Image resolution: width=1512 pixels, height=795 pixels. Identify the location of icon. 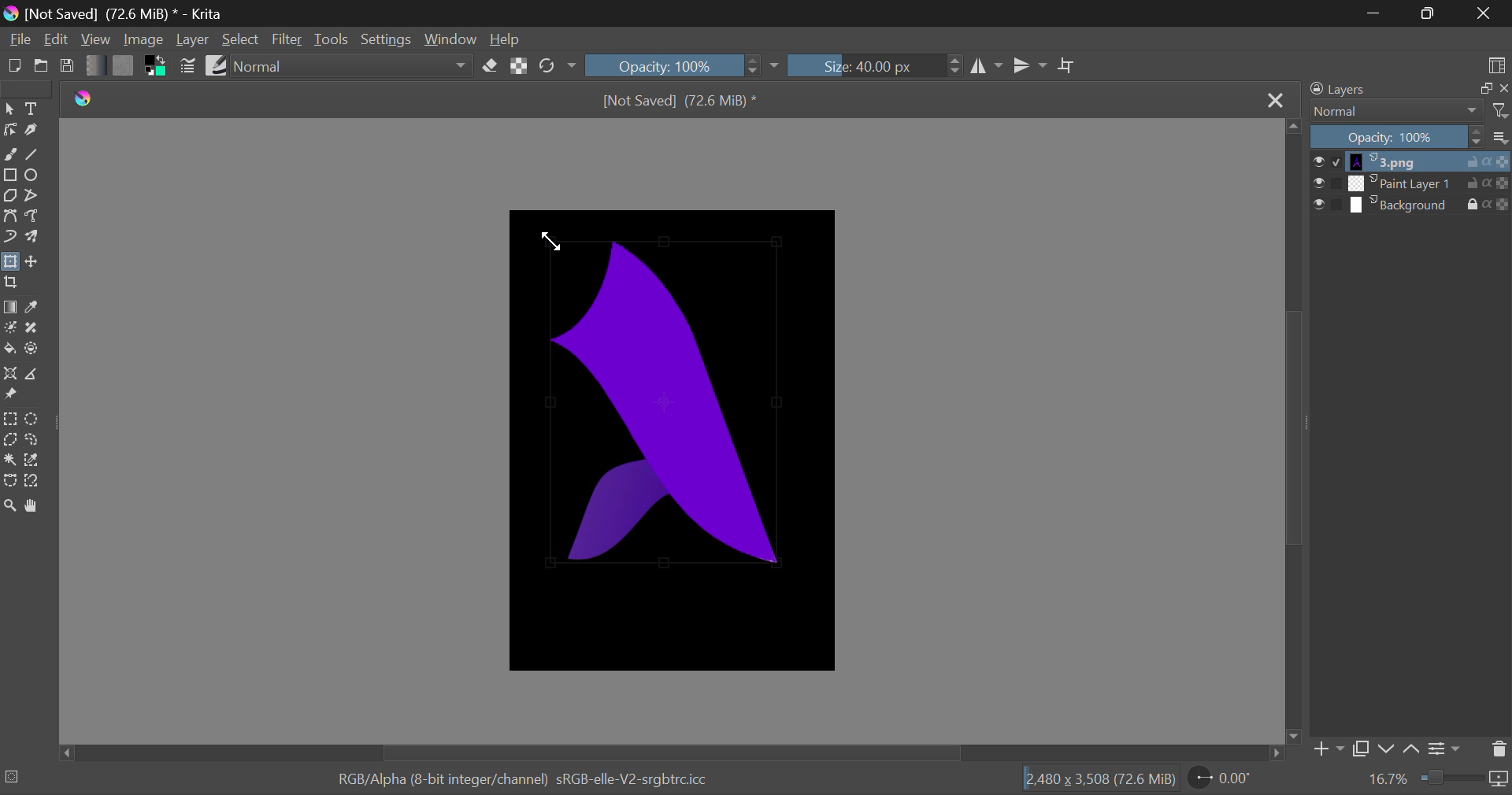
(1499, 778).